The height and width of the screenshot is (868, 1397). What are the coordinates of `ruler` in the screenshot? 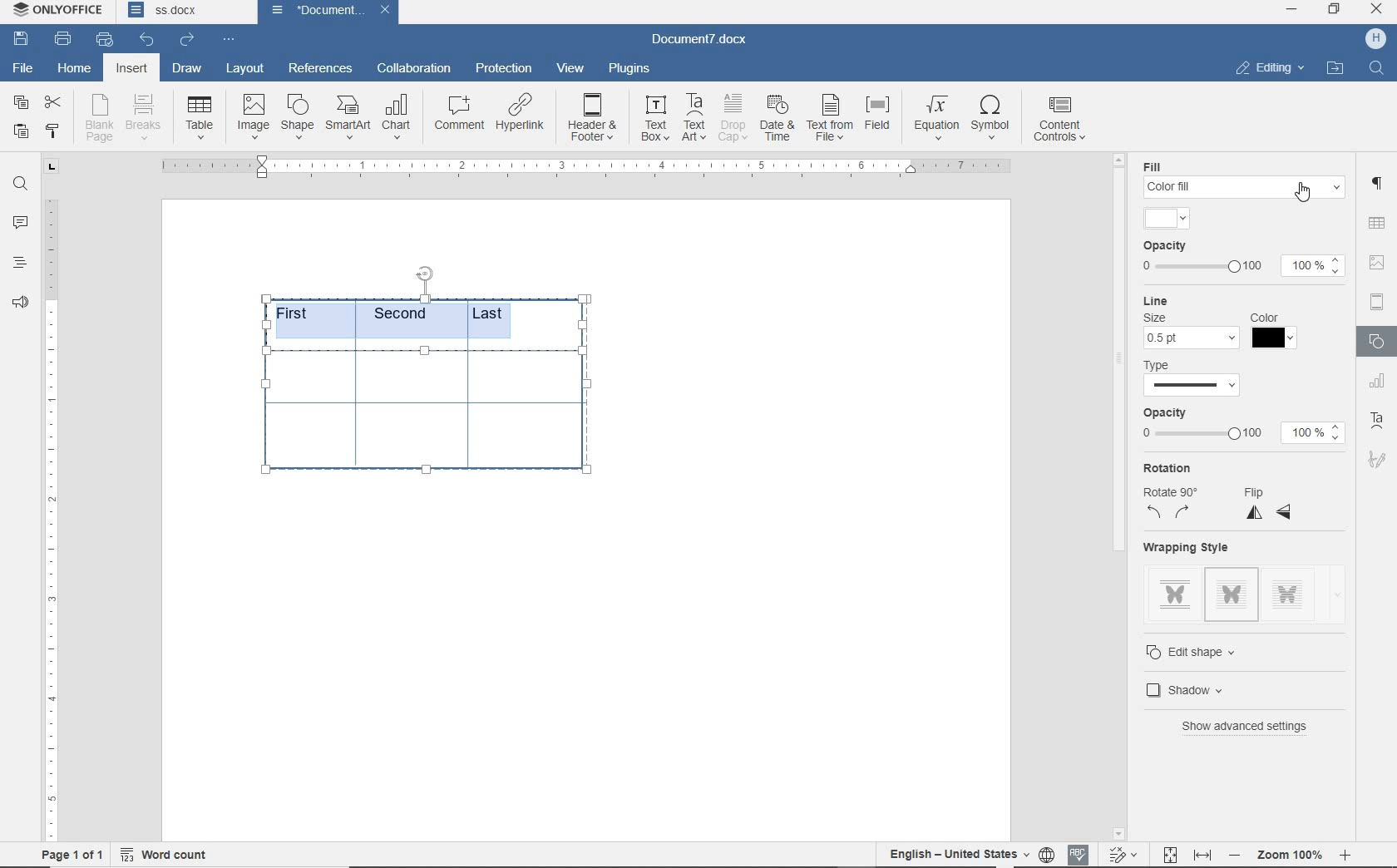 It's located at (51, 520).